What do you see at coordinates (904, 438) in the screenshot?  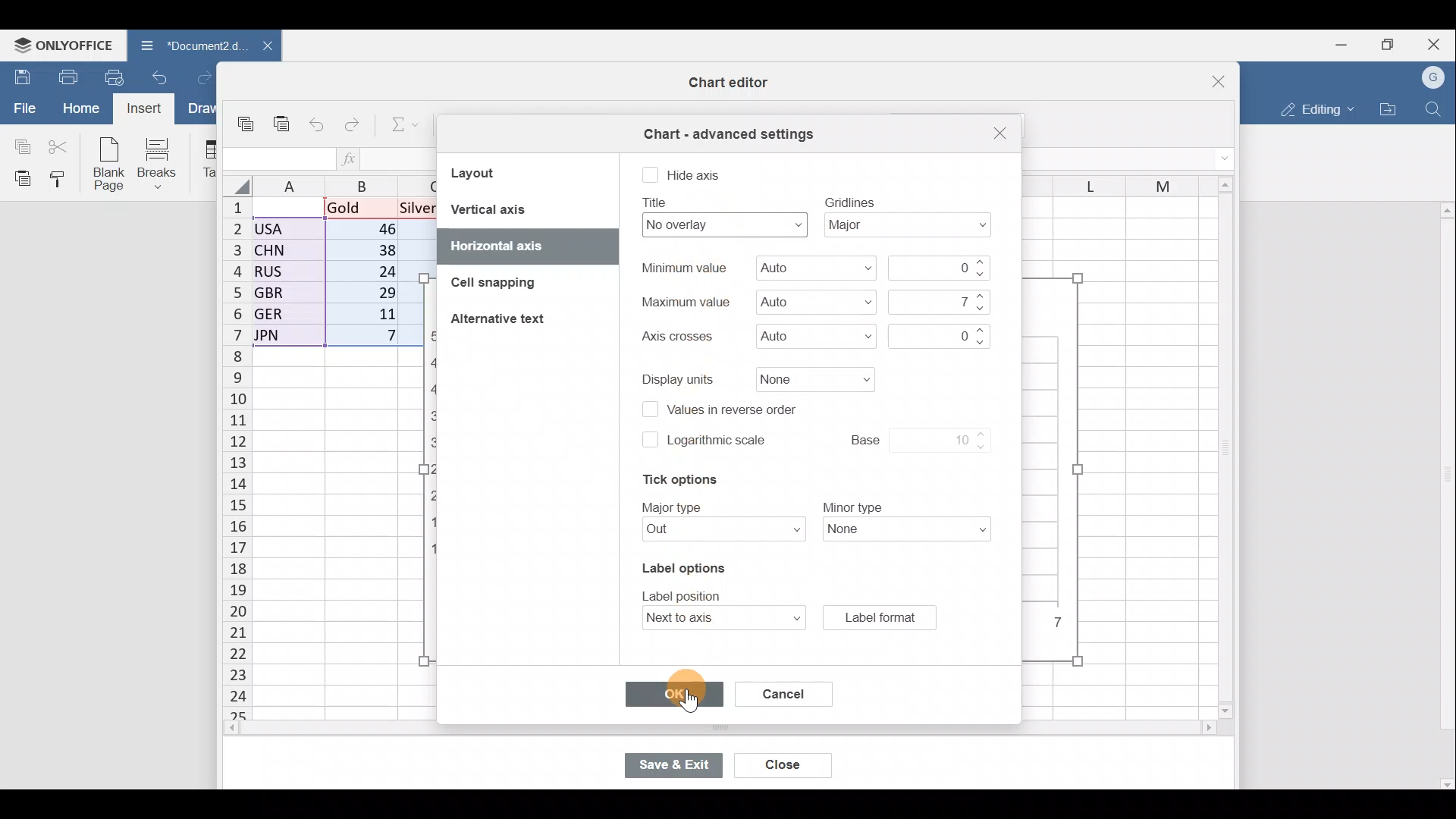 I see `Base` at bounding box center [904, 438].